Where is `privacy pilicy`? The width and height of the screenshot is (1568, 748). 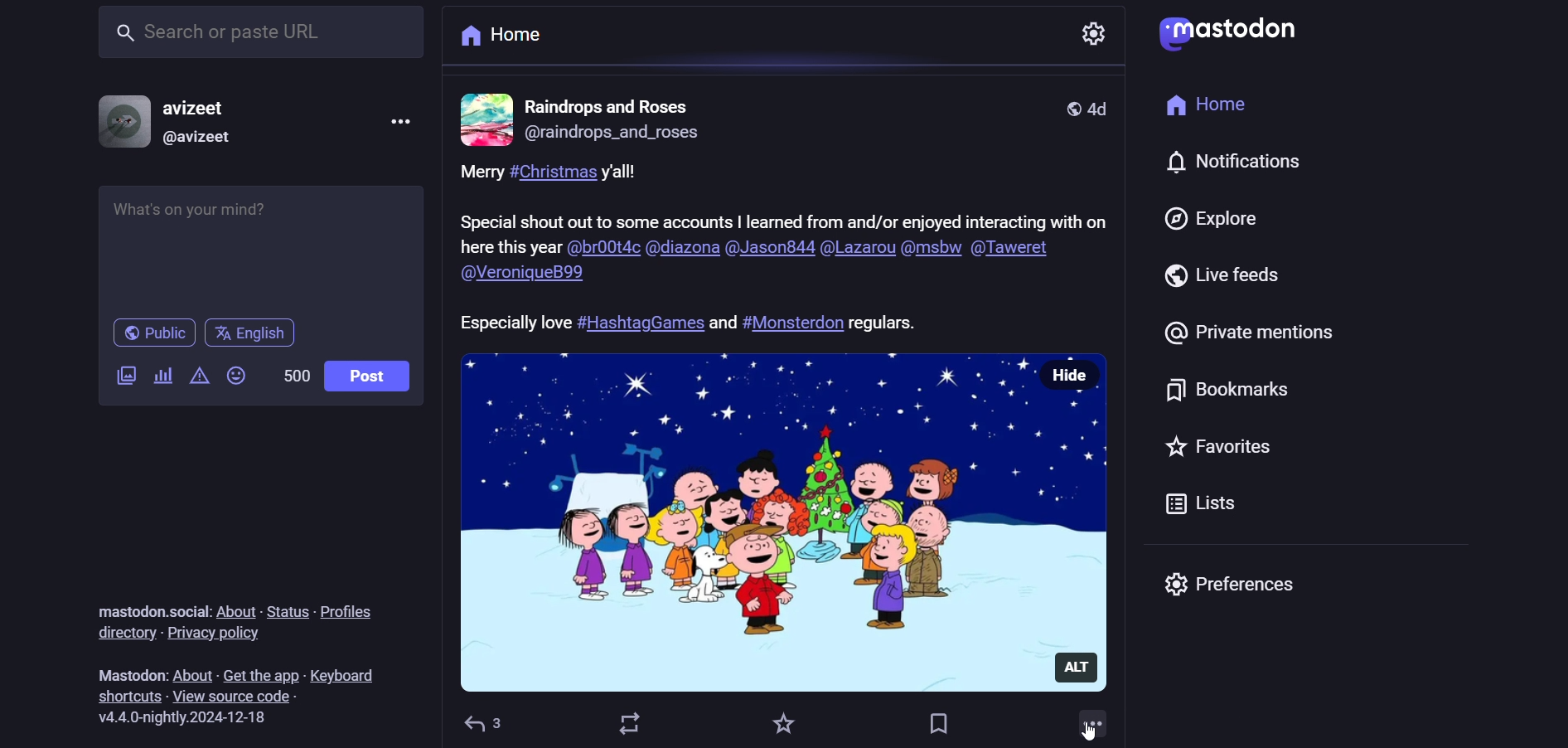 privacy pilicy is located at coordinates (227, 634).